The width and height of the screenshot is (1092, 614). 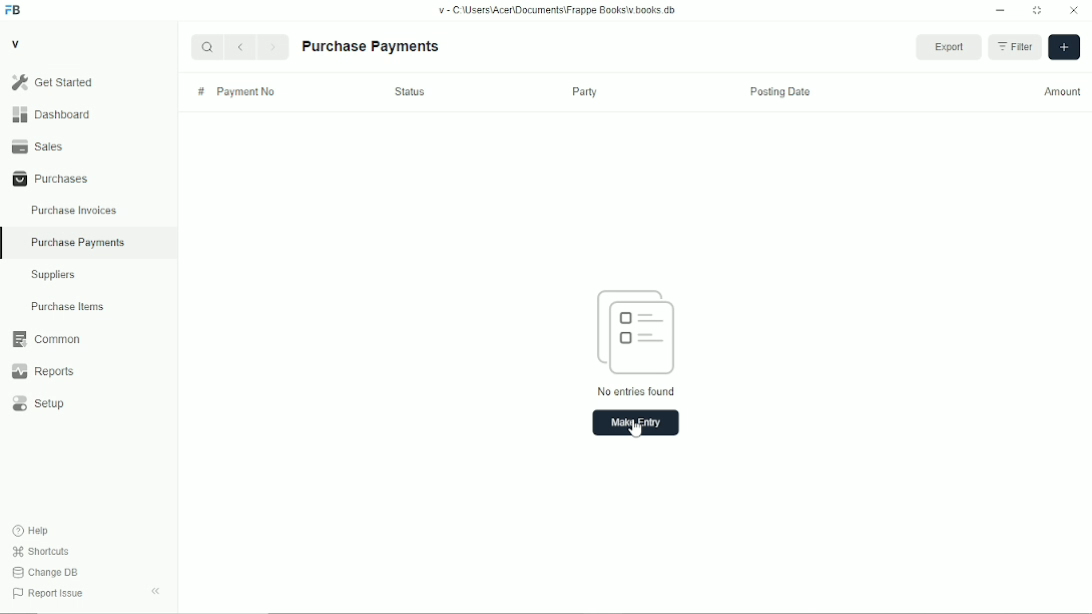 What do you see at coordinates (16, 43) in the screenshot?
I see `V` at bounding box center [16, 43].